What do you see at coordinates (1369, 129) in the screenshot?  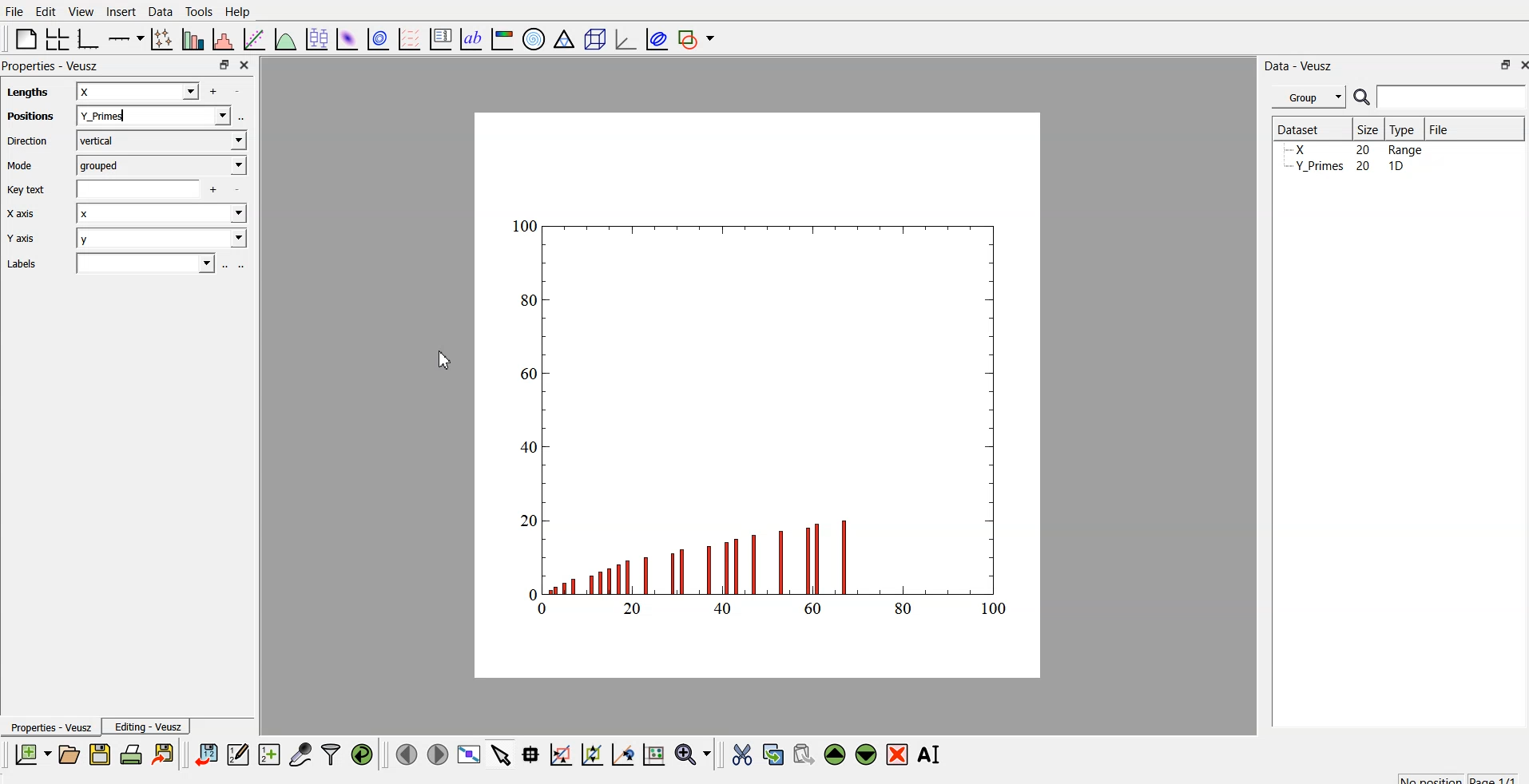 I see `| Size` at bounding box center [1369, 129].